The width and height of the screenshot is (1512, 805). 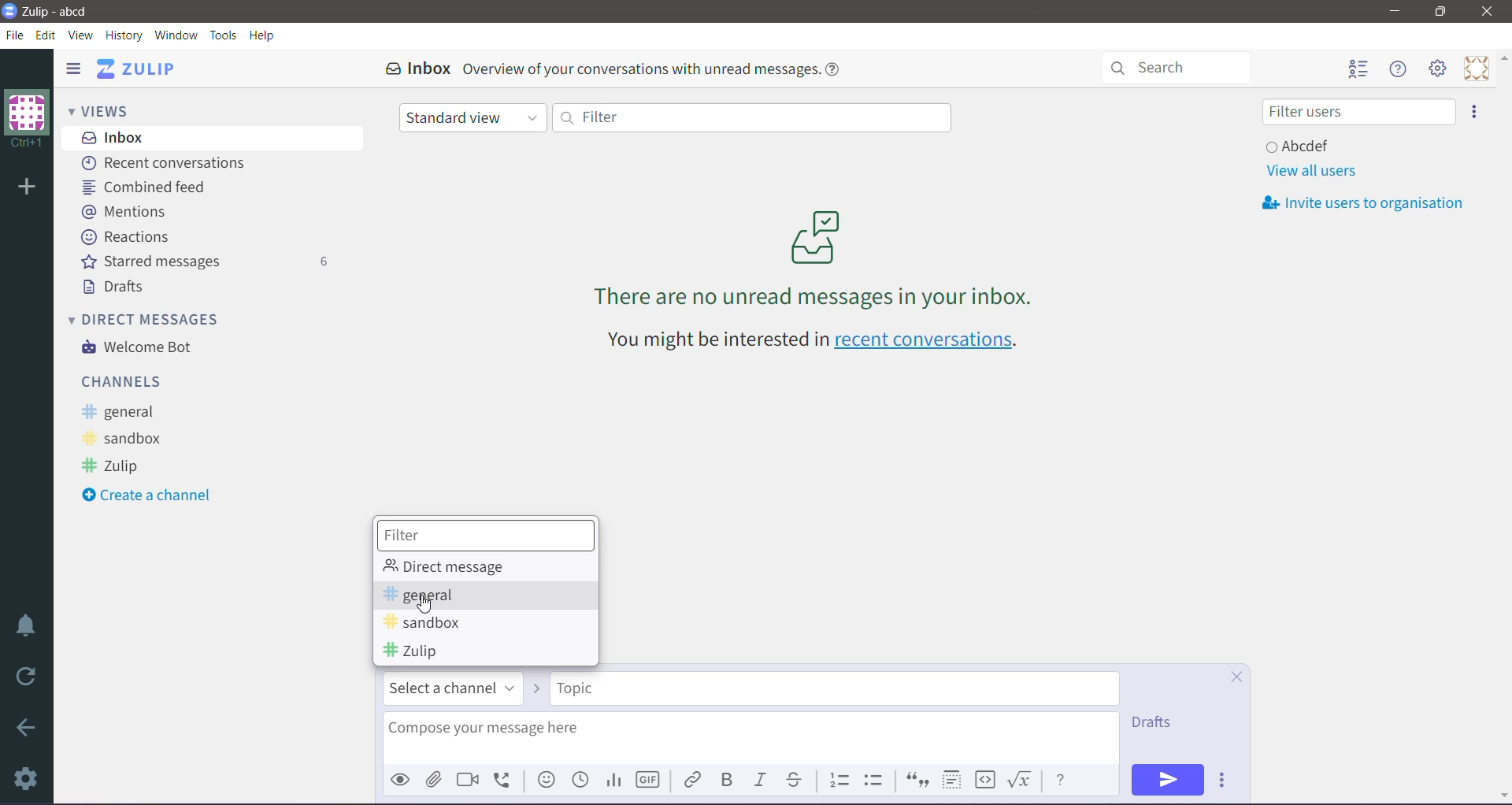 I want to click on Search, so click(x=1184, y=66).